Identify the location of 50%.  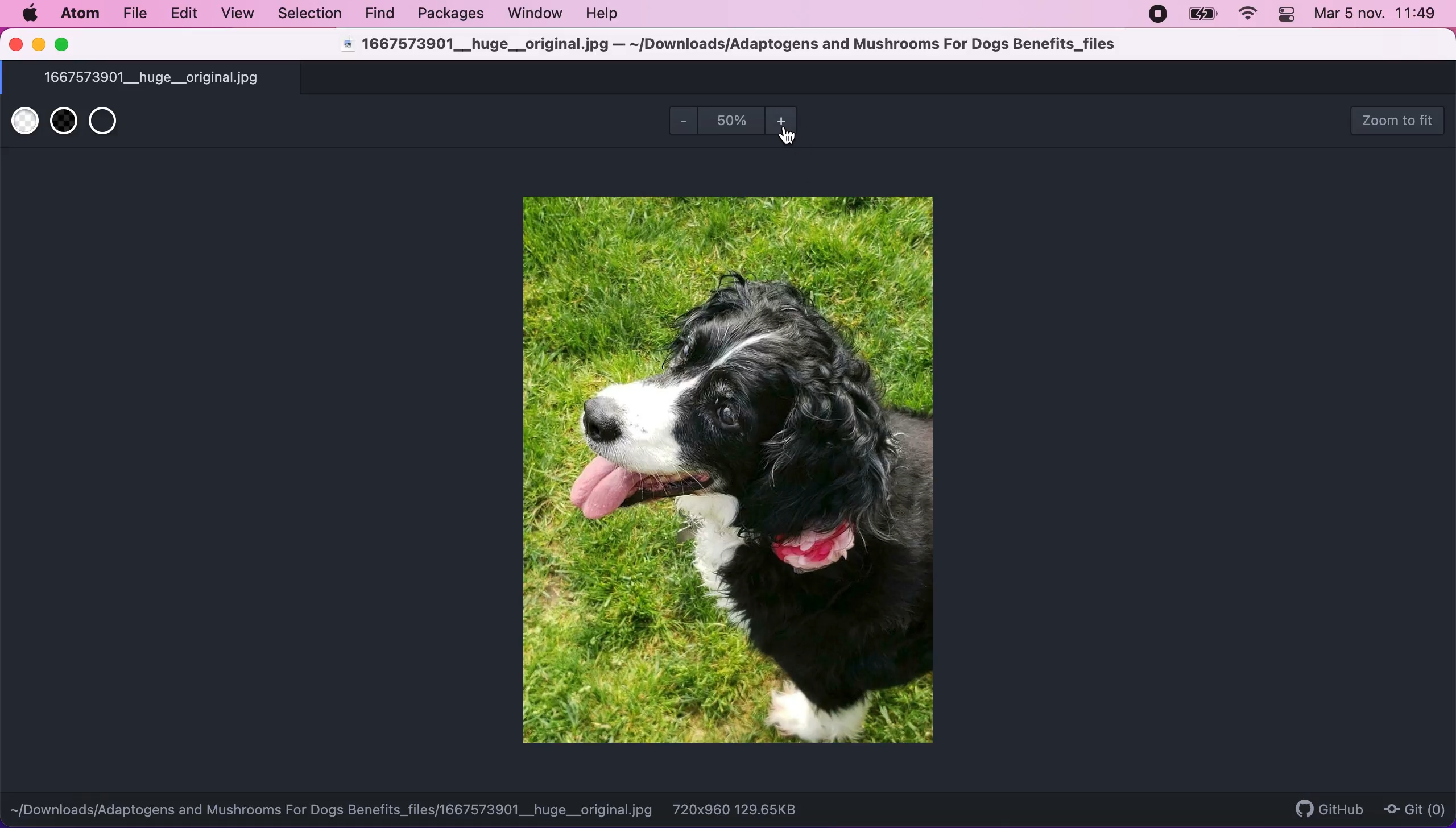
(727, 120).